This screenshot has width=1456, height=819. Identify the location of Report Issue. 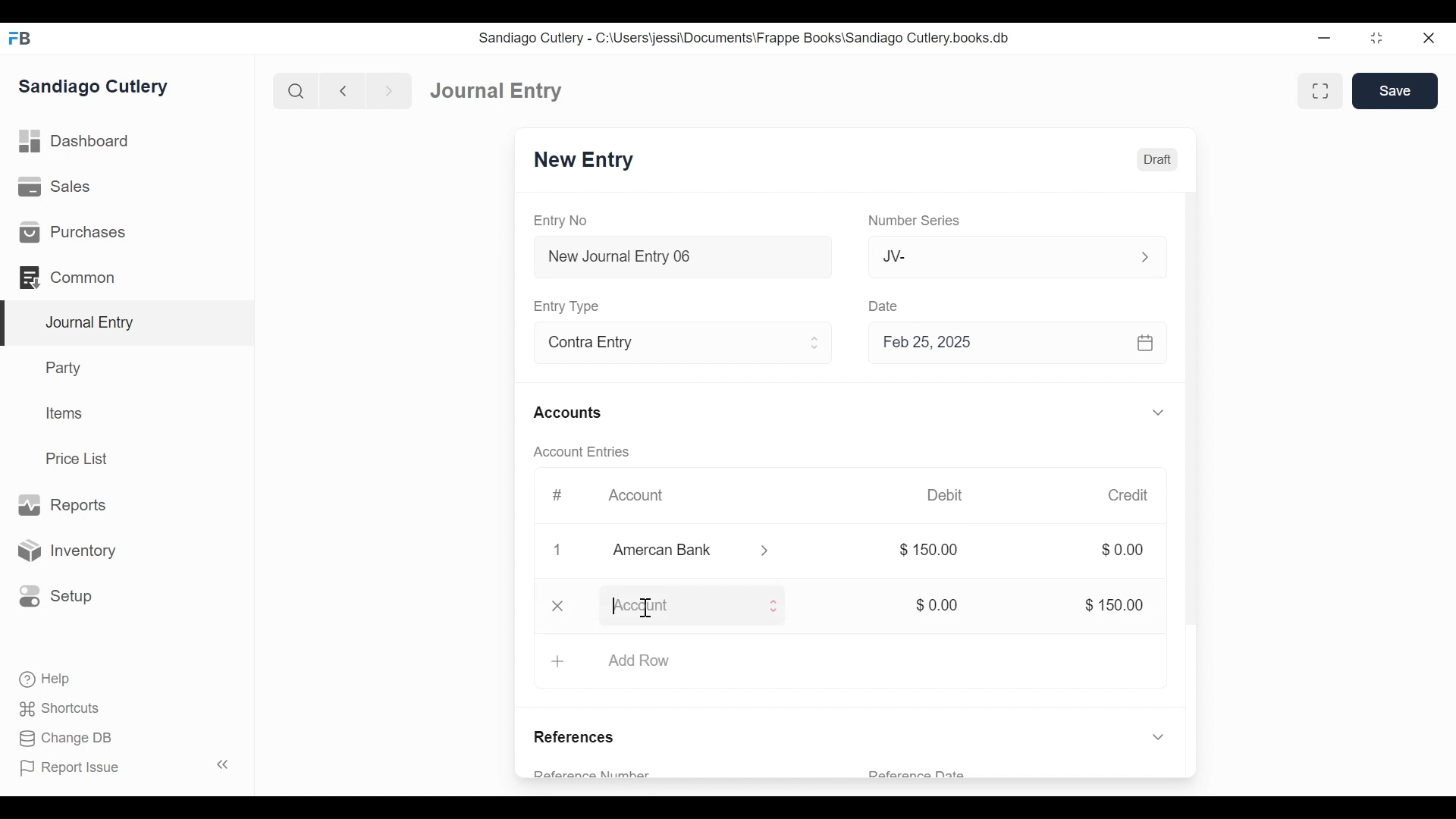
(127, 767).